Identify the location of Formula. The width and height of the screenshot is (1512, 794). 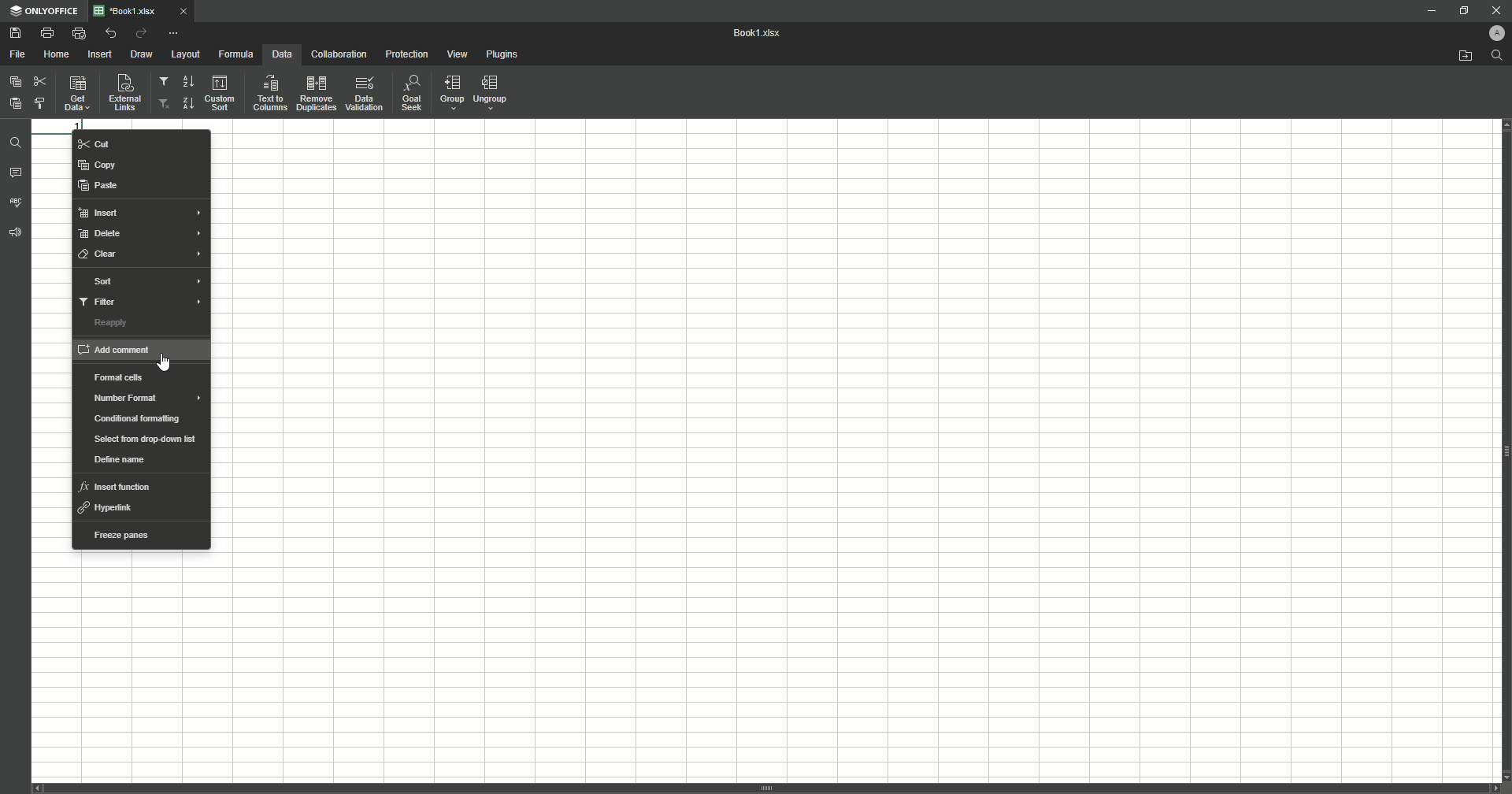
(234, 54).